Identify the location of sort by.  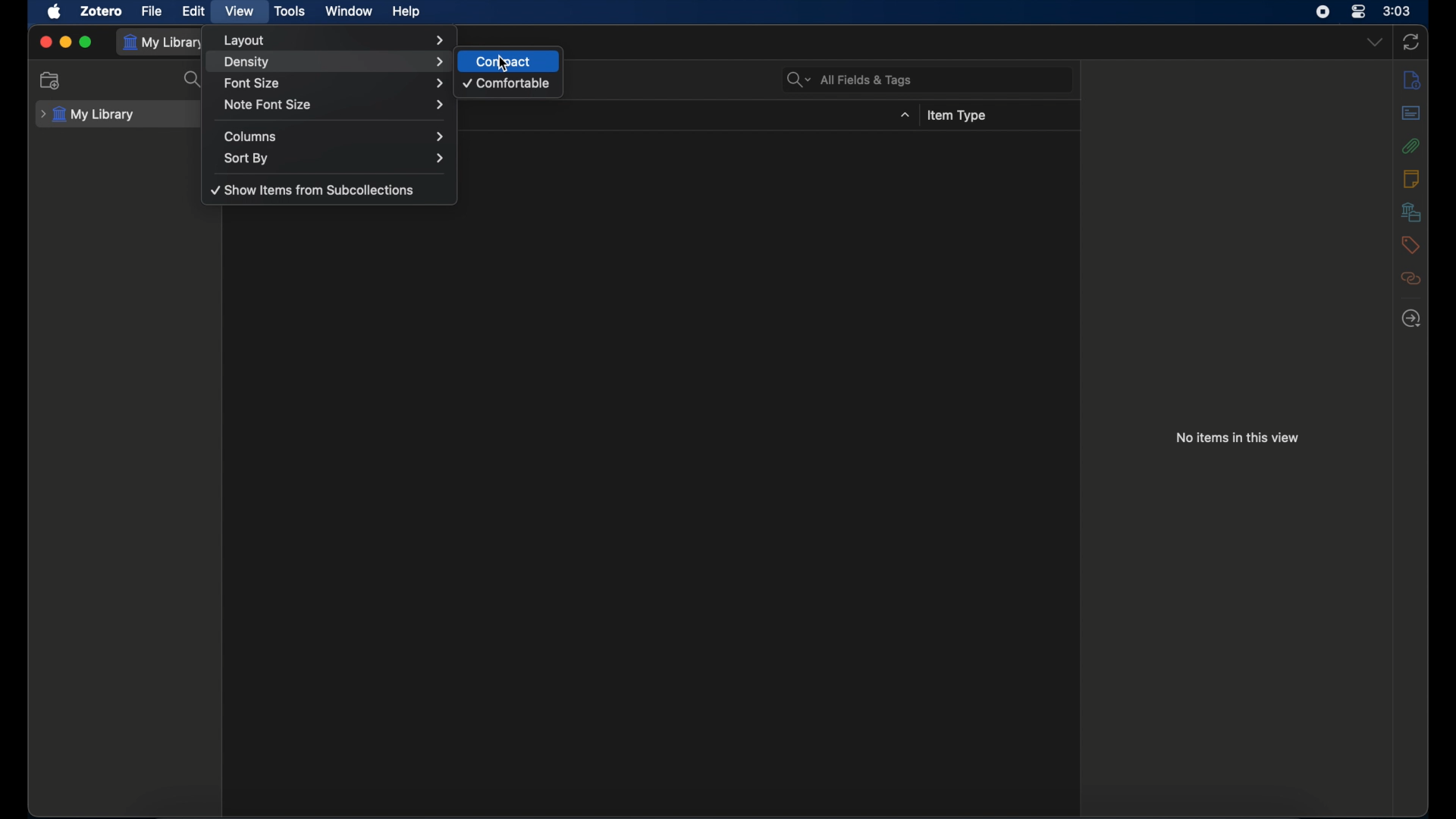
(336, 158).